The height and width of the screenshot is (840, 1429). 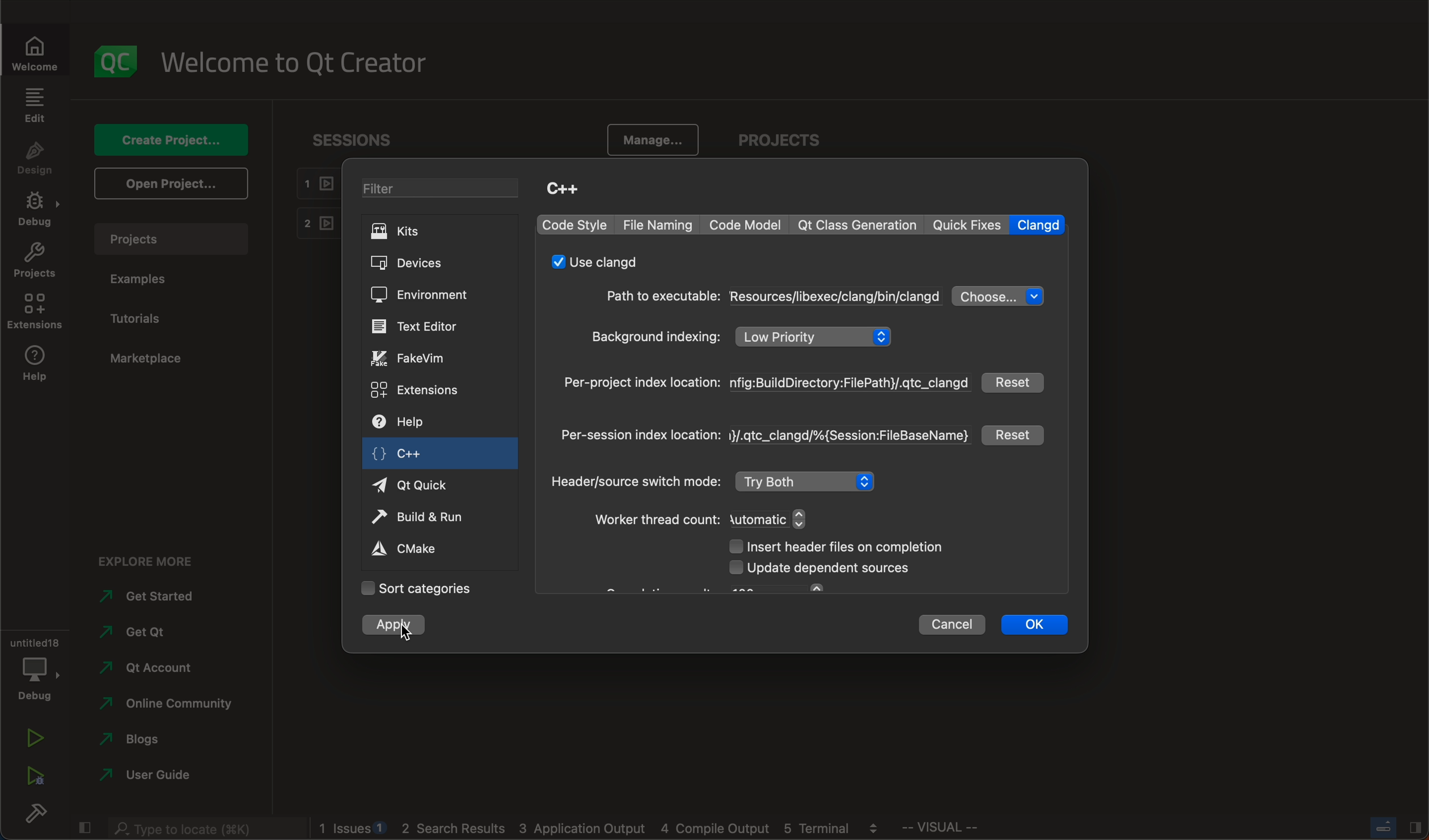 I want to click on clicked, so click(x=396, y=625).